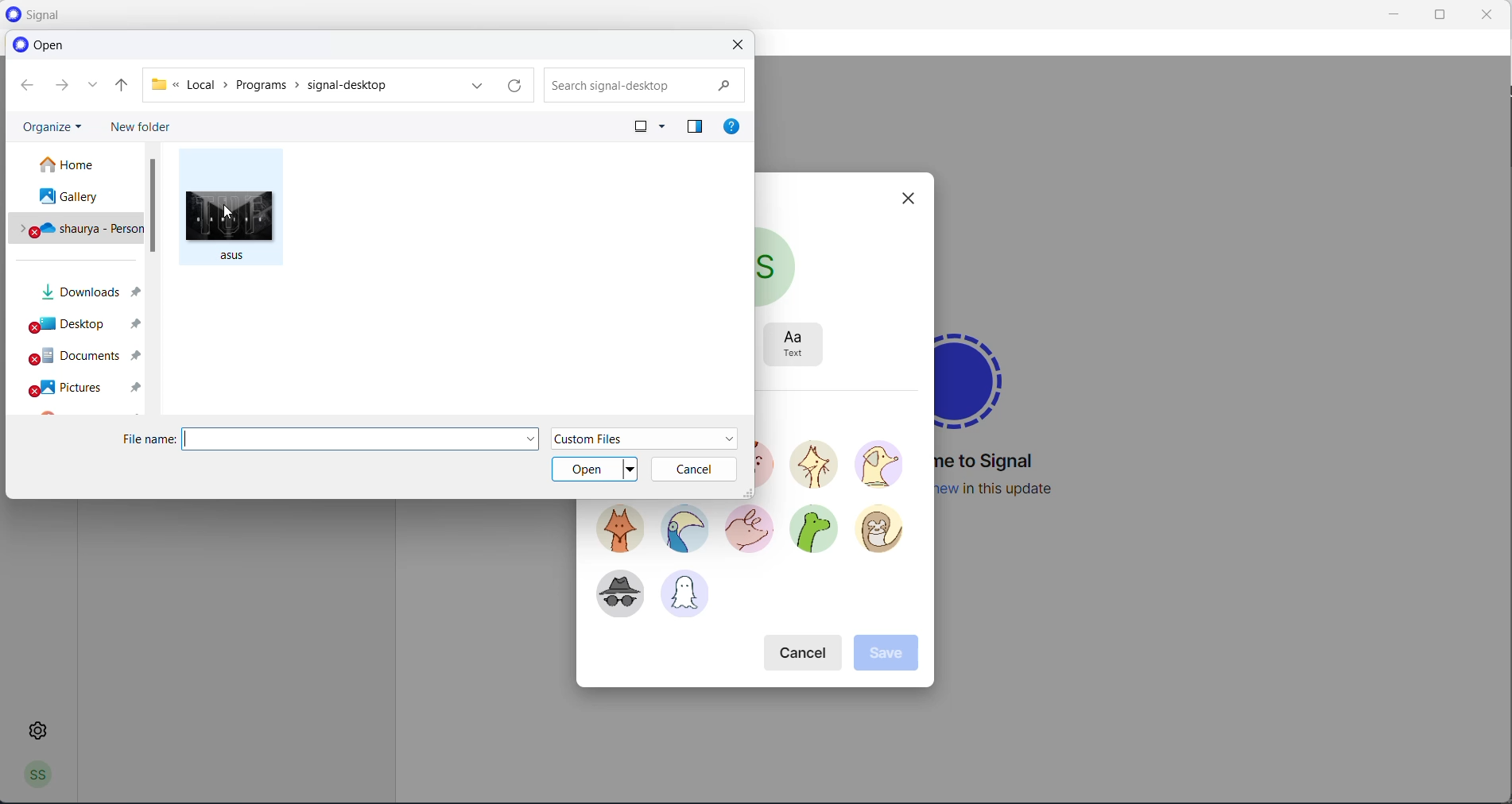 This screenshot has height=804, width=1512. Describe the element at coordinates (645, 439) in the screenshot. I see `file type` at that location.